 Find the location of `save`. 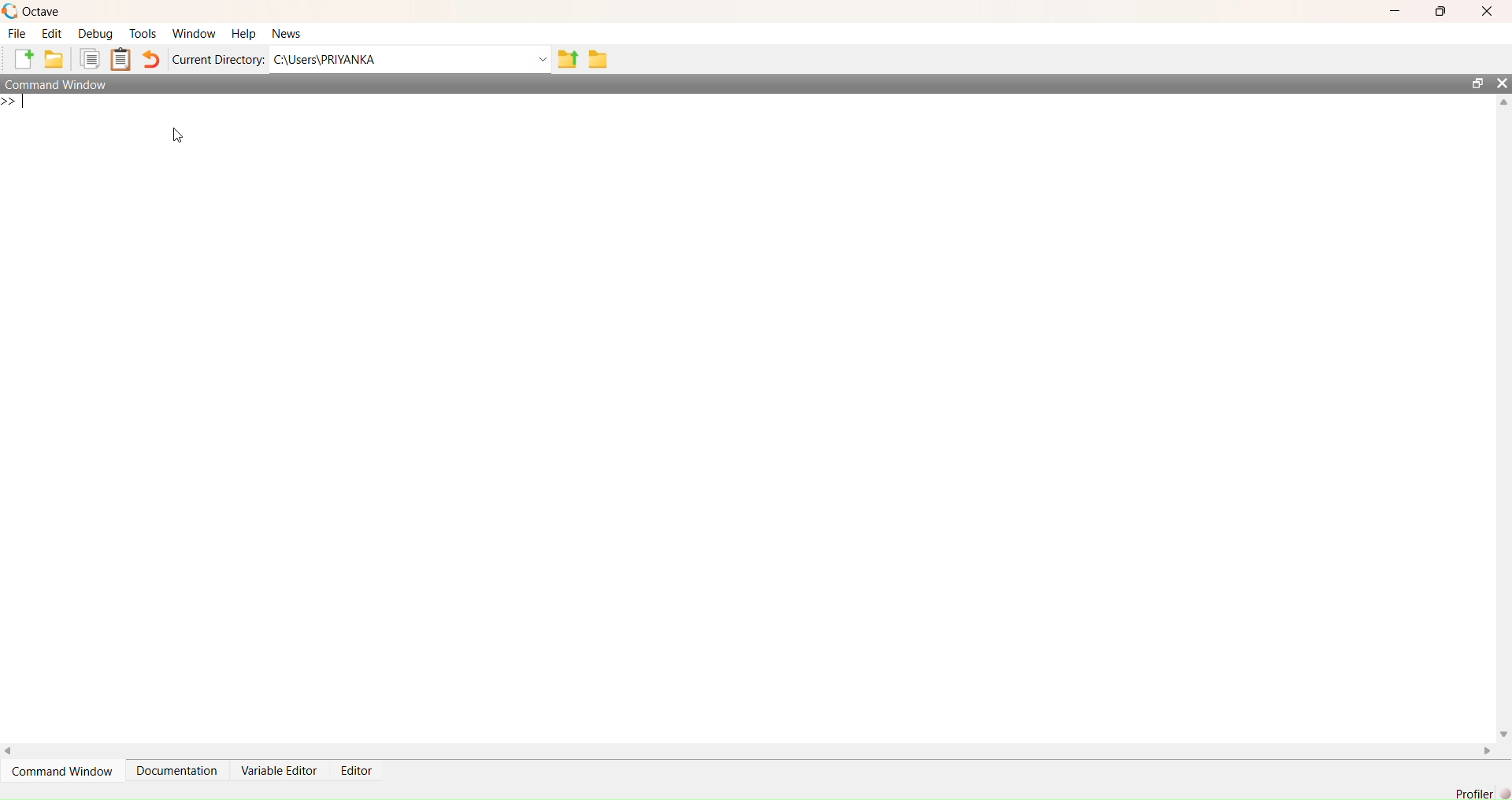

save is located at coordinates (54, 61).